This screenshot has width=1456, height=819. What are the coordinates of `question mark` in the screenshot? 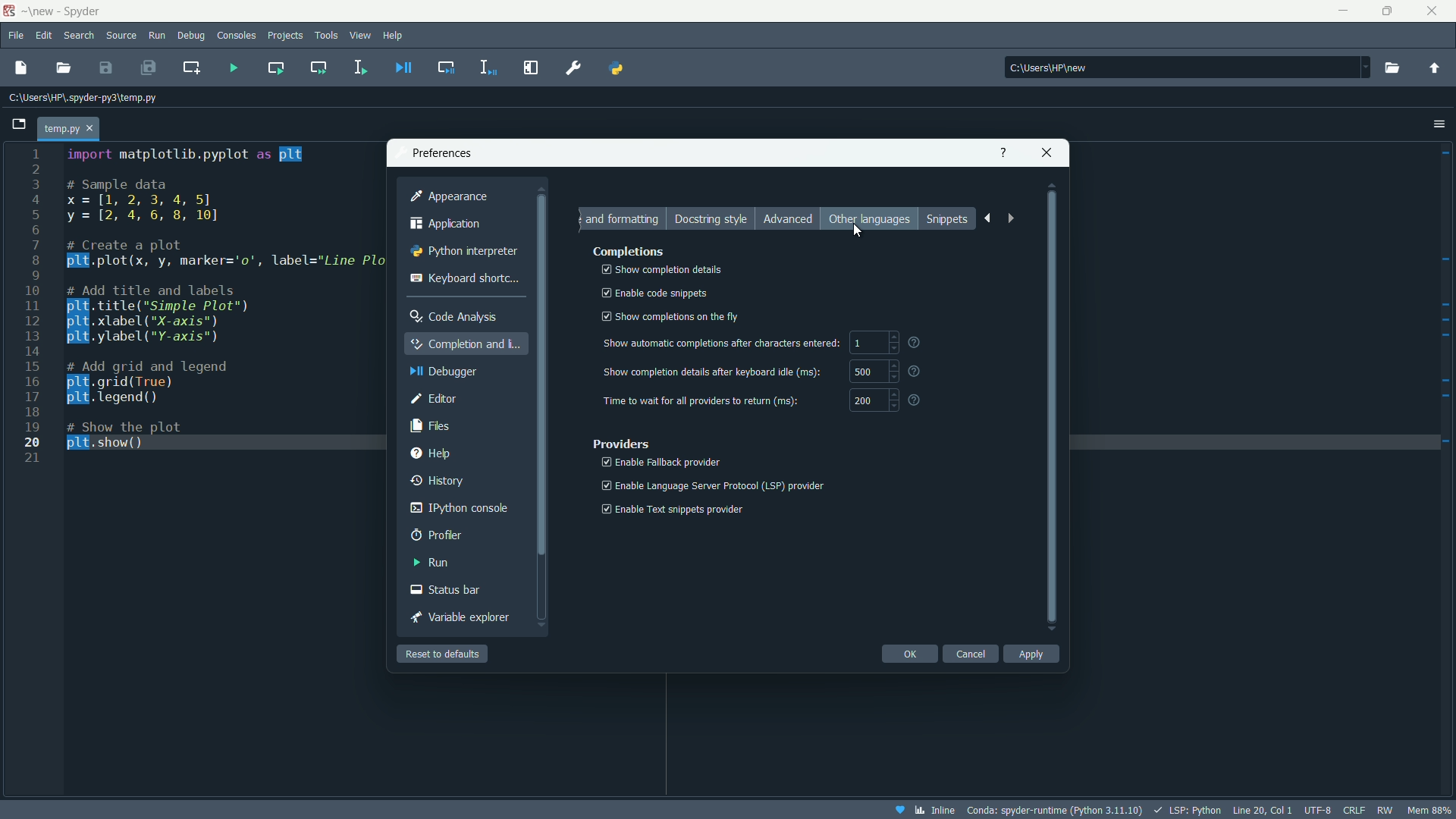 It's located at (917, 371).